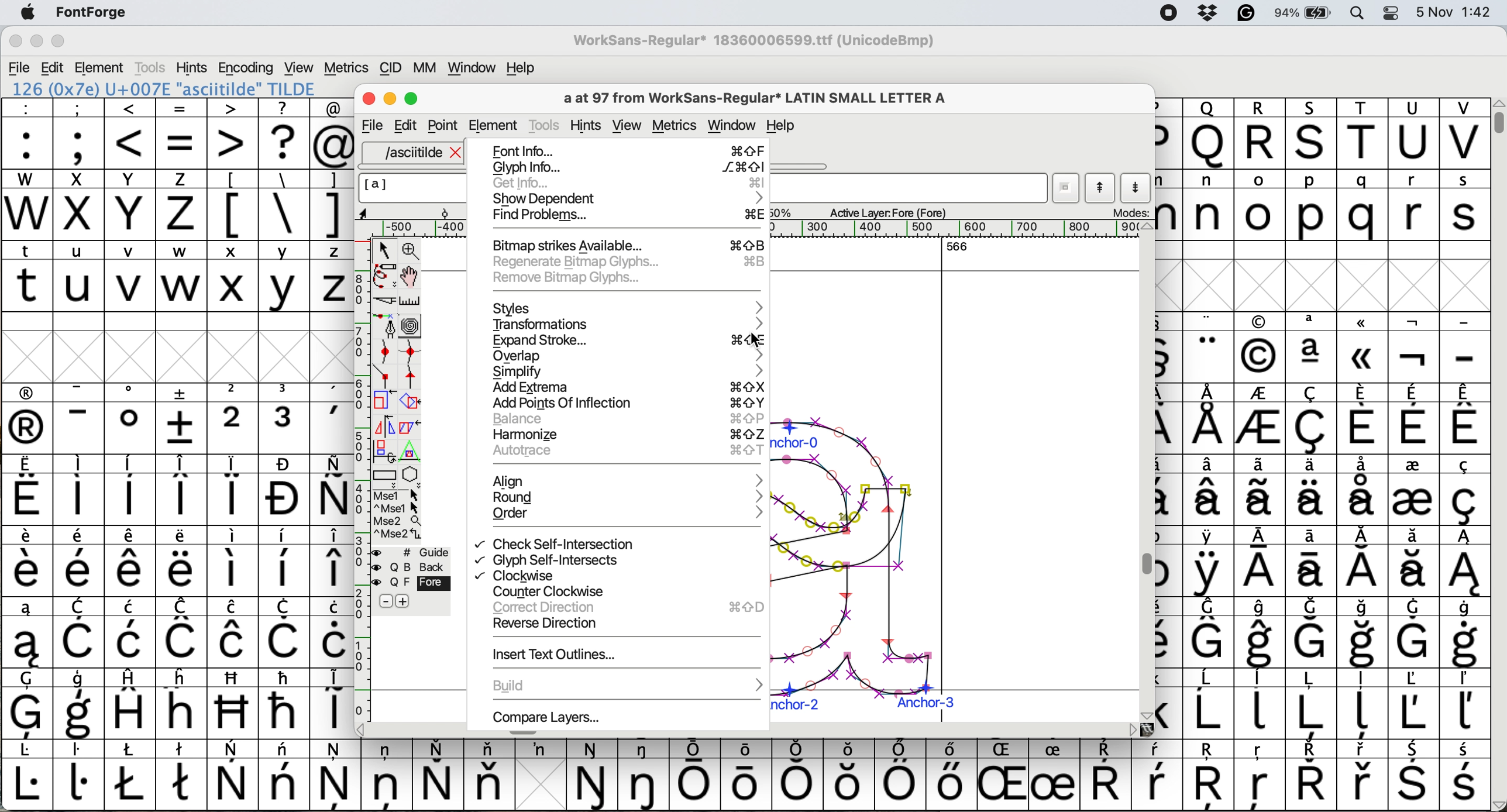 Image resolution: width=1507 pixels, height=812 pixels. What do you see at coordinates (332, 562) in the screenshot?
I see `symbol` at bounding box center [332, 562].